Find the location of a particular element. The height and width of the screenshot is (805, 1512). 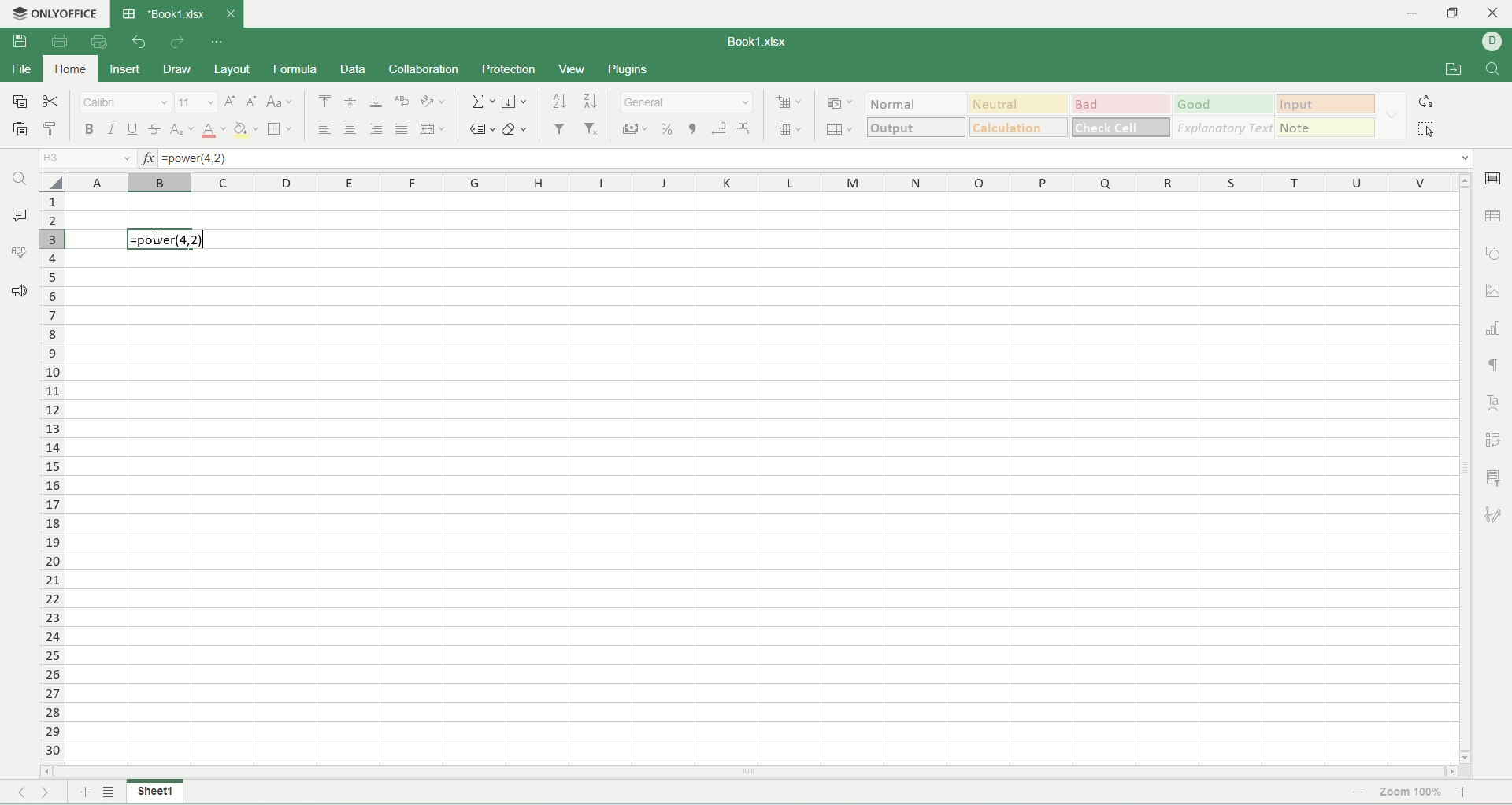

protection is located at coordinates (509, 70).